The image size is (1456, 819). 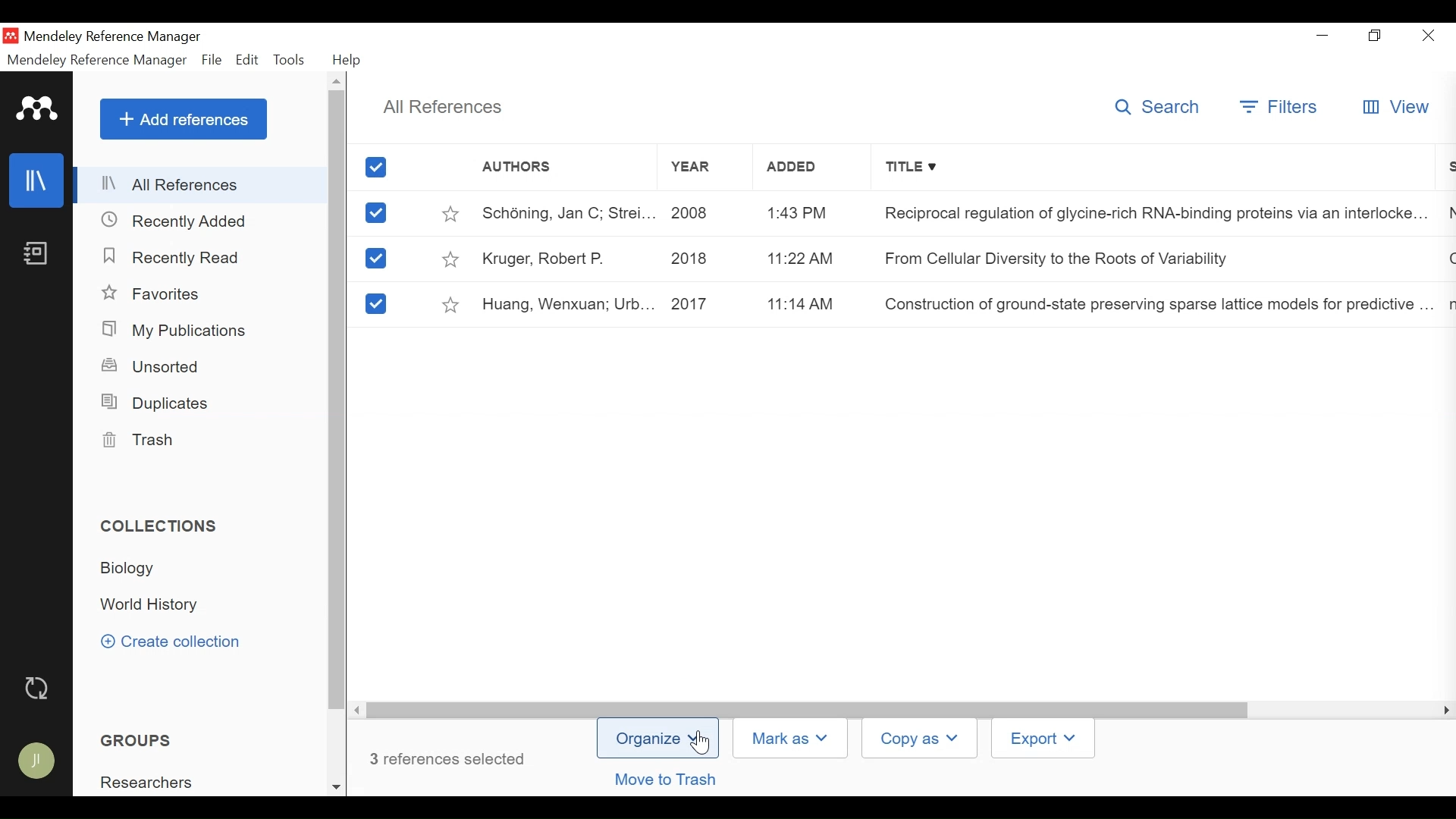 I want to click on Recently Read, so click(x=175, y=258).